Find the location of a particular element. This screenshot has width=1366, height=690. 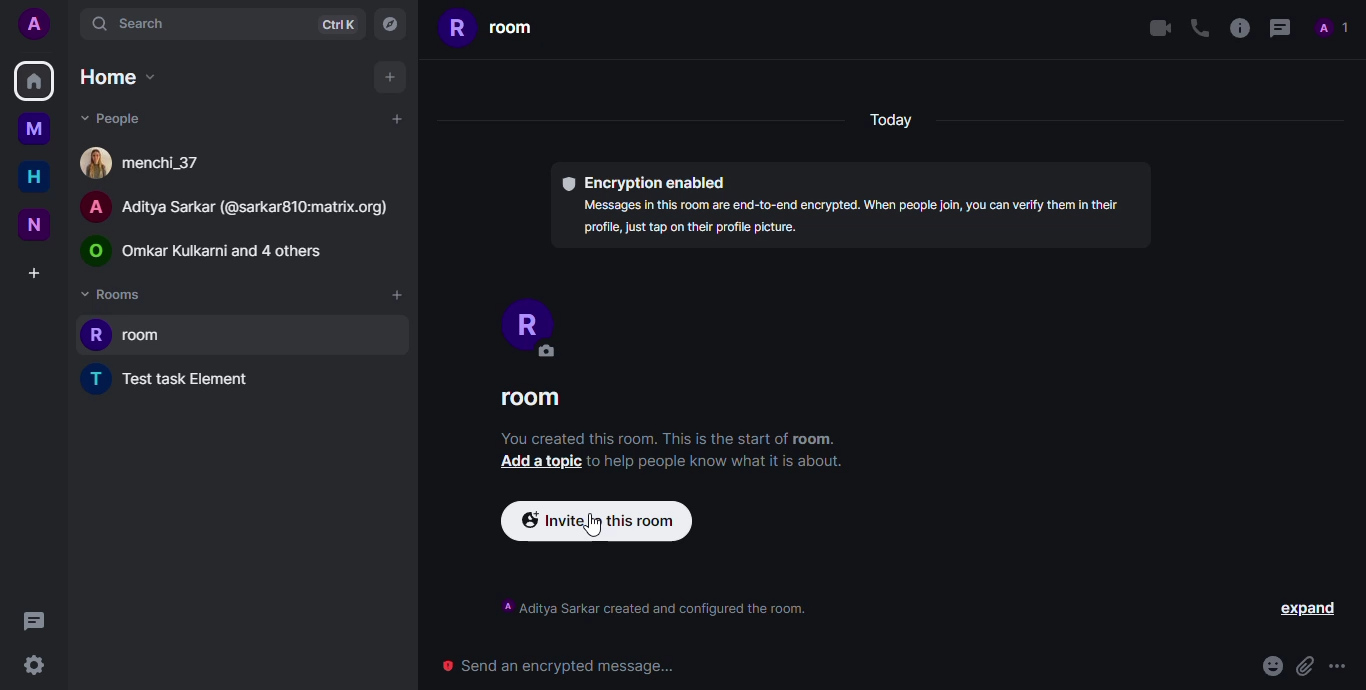

info is located at coordinates (1240, 28).